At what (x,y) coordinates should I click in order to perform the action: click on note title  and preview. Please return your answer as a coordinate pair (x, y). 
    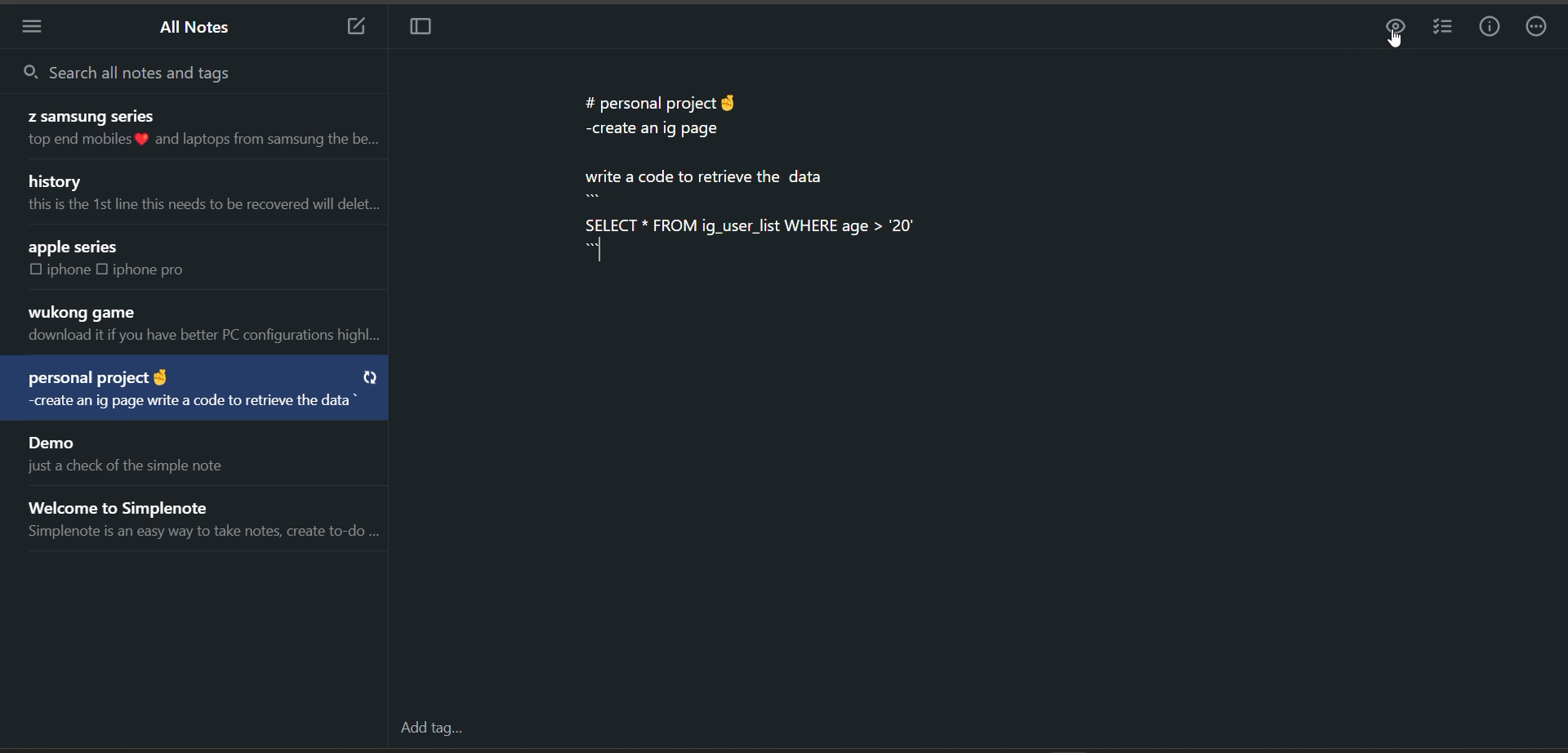
    Looking at the image, I should click on (194, 390).